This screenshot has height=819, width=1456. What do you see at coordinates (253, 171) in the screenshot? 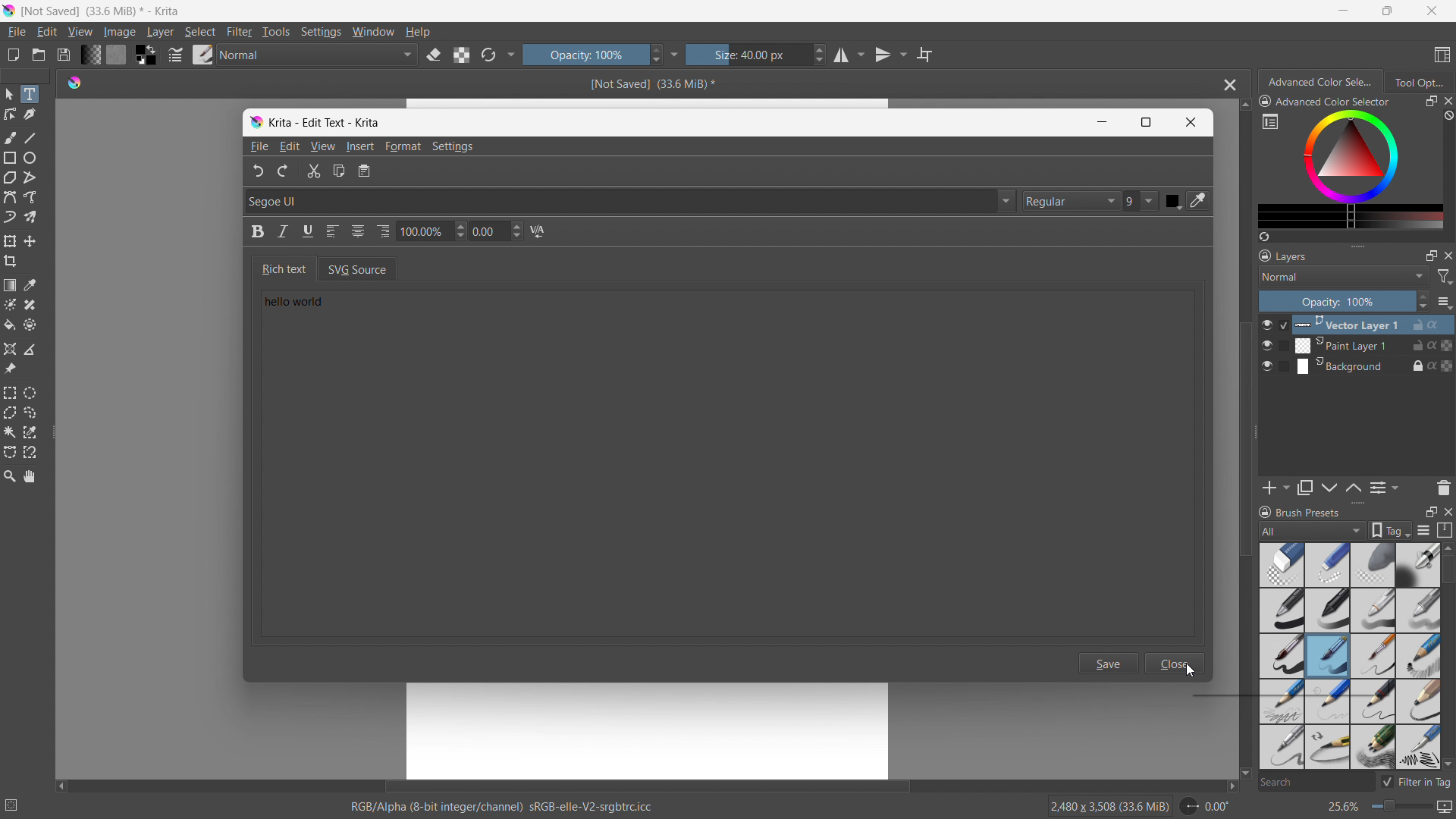
I see `undo` at bounding box center [253, 171].